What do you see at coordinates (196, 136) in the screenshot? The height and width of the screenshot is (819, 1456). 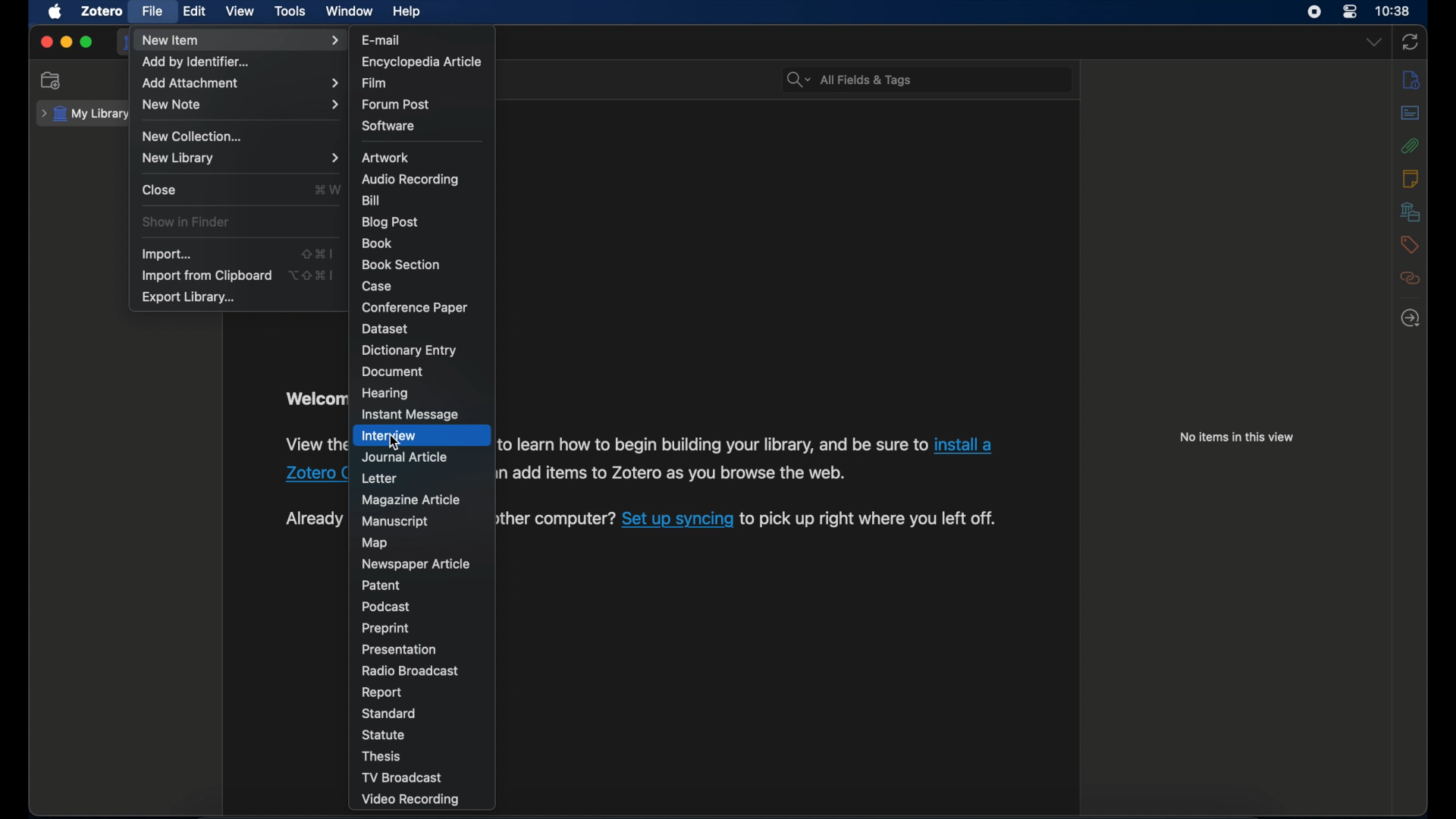 I see `new collection` at bounding box center [196, 136].